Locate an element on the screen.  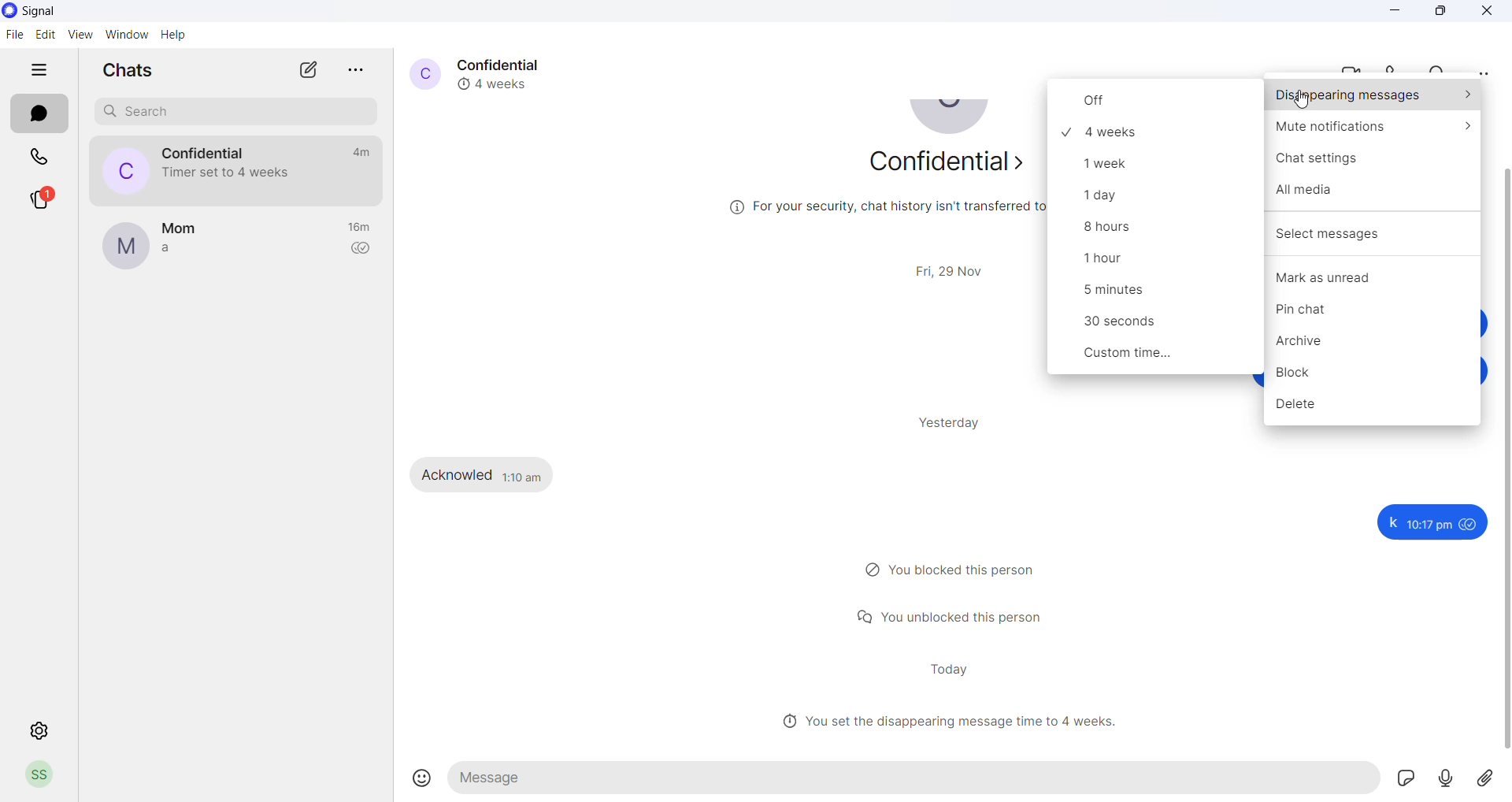
contact is located at coordinates (181, 228).